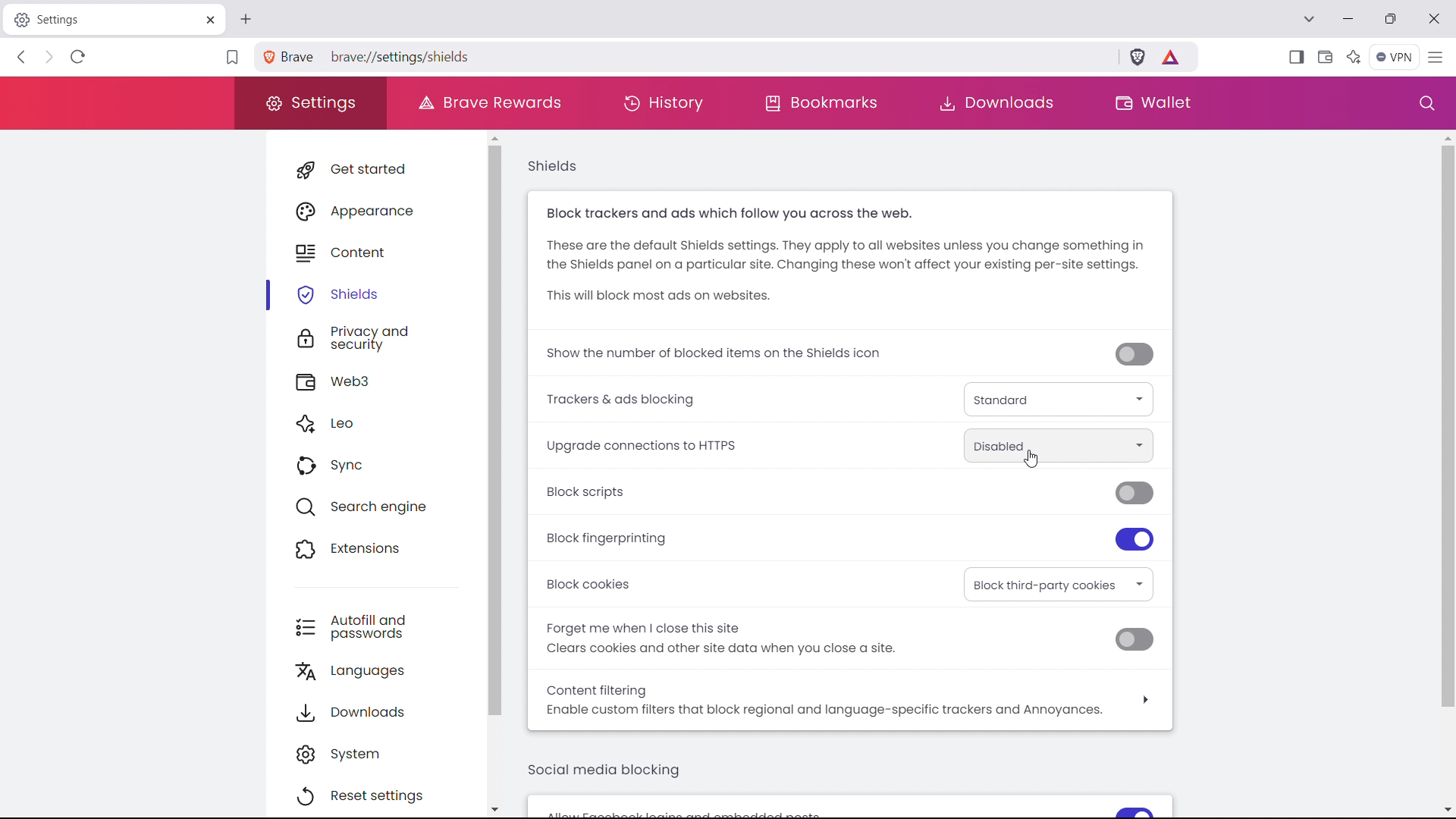  What do you see at coordinates (1390, 20) in the screenshot?
I see `maximize` at bounding box center [1390, 20].